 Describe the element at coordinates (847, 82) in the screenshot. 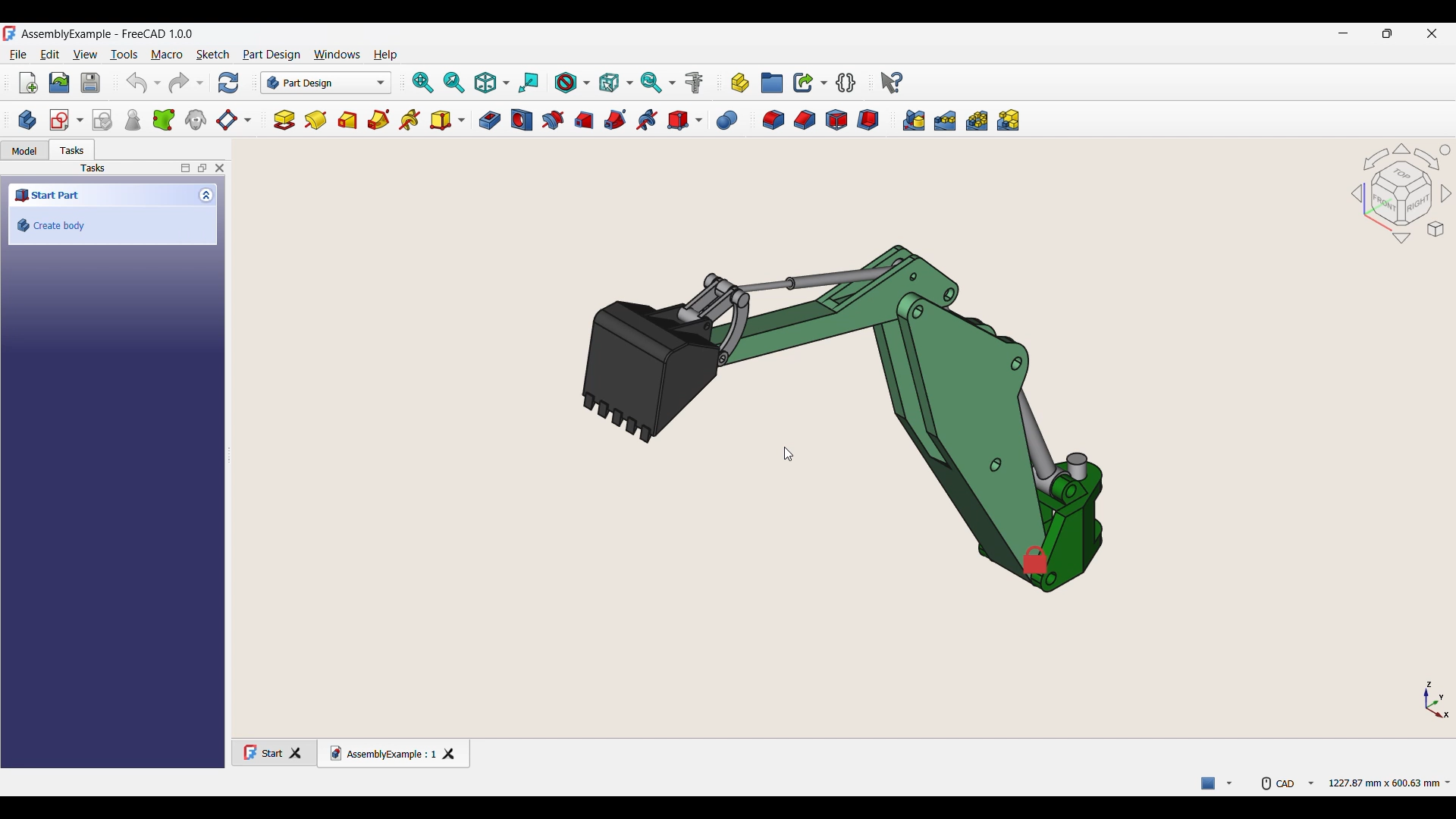

I see `Create a variable set` at that location.